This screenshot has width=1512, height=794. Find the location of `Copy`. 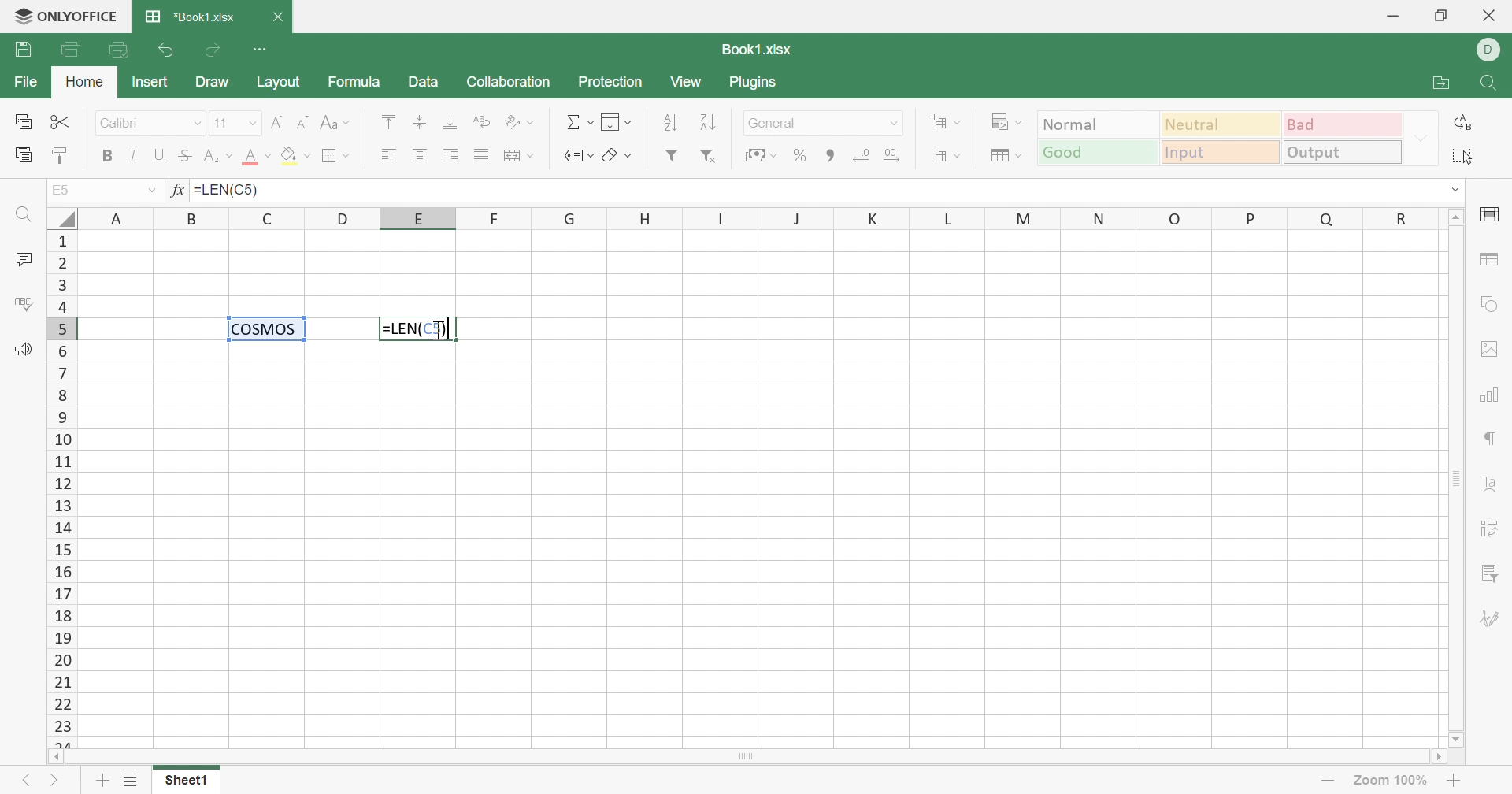

Copy is located at coordinates (23, 121).